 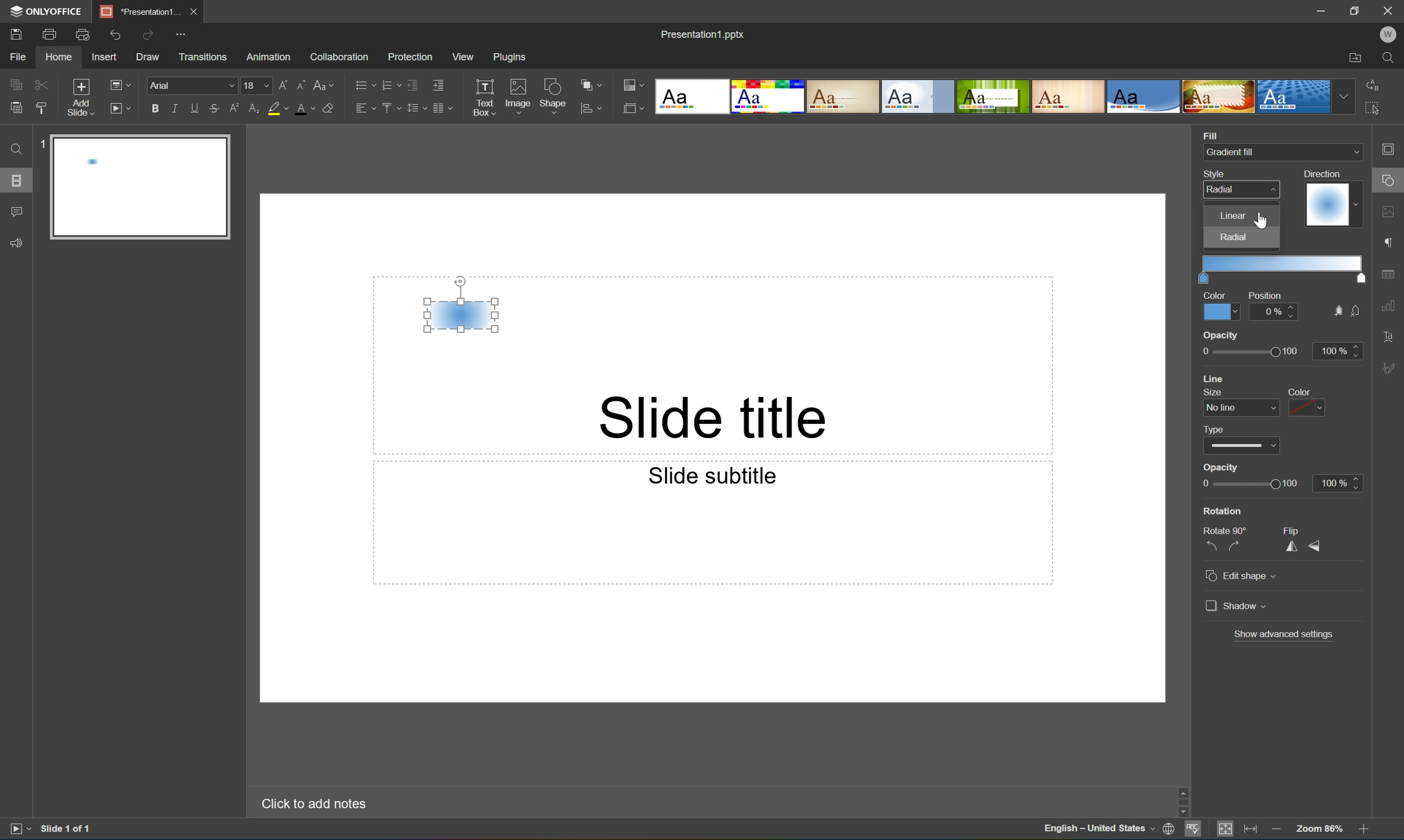 I want to click on Set document language, so click(x=1171, y=830).